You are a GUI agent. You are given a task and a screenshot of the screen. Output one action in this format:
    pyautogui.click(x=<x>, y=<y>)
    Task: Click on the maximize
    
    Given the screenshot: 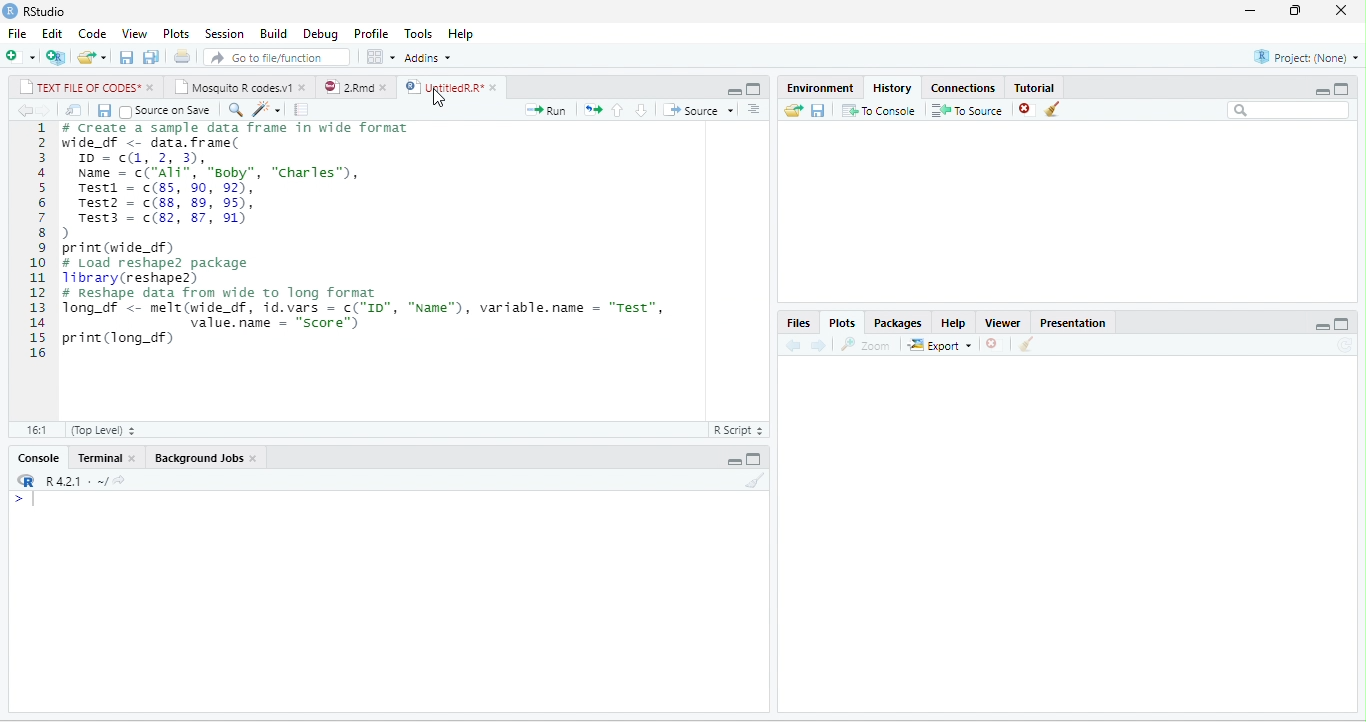 What is the action you would take?
    pyautogui.click(x=752, y=90)
    